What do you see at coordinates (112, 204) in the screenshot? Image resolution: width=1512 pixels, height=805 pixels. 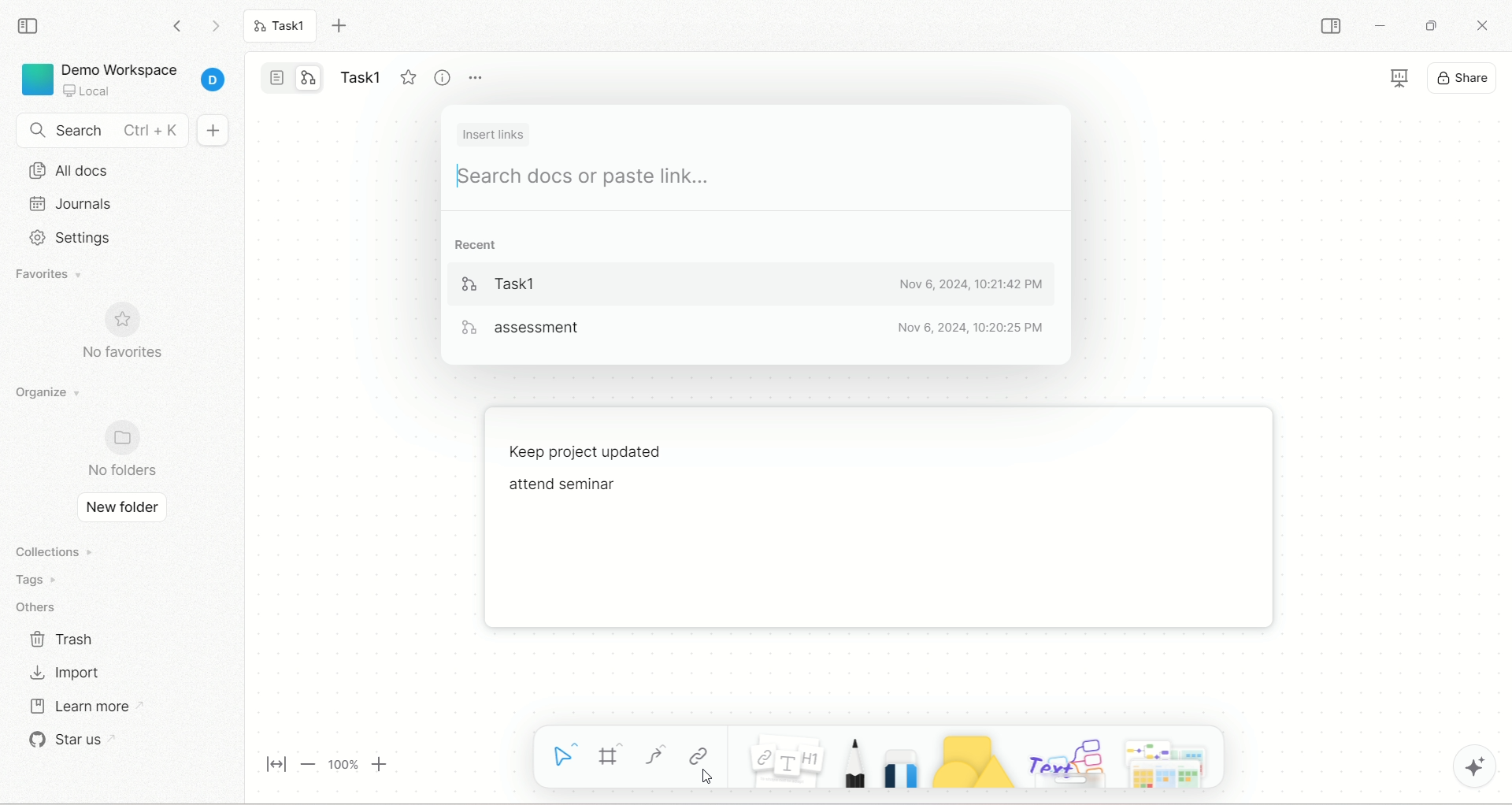 I see `journals` at bounding box center [112, 204].